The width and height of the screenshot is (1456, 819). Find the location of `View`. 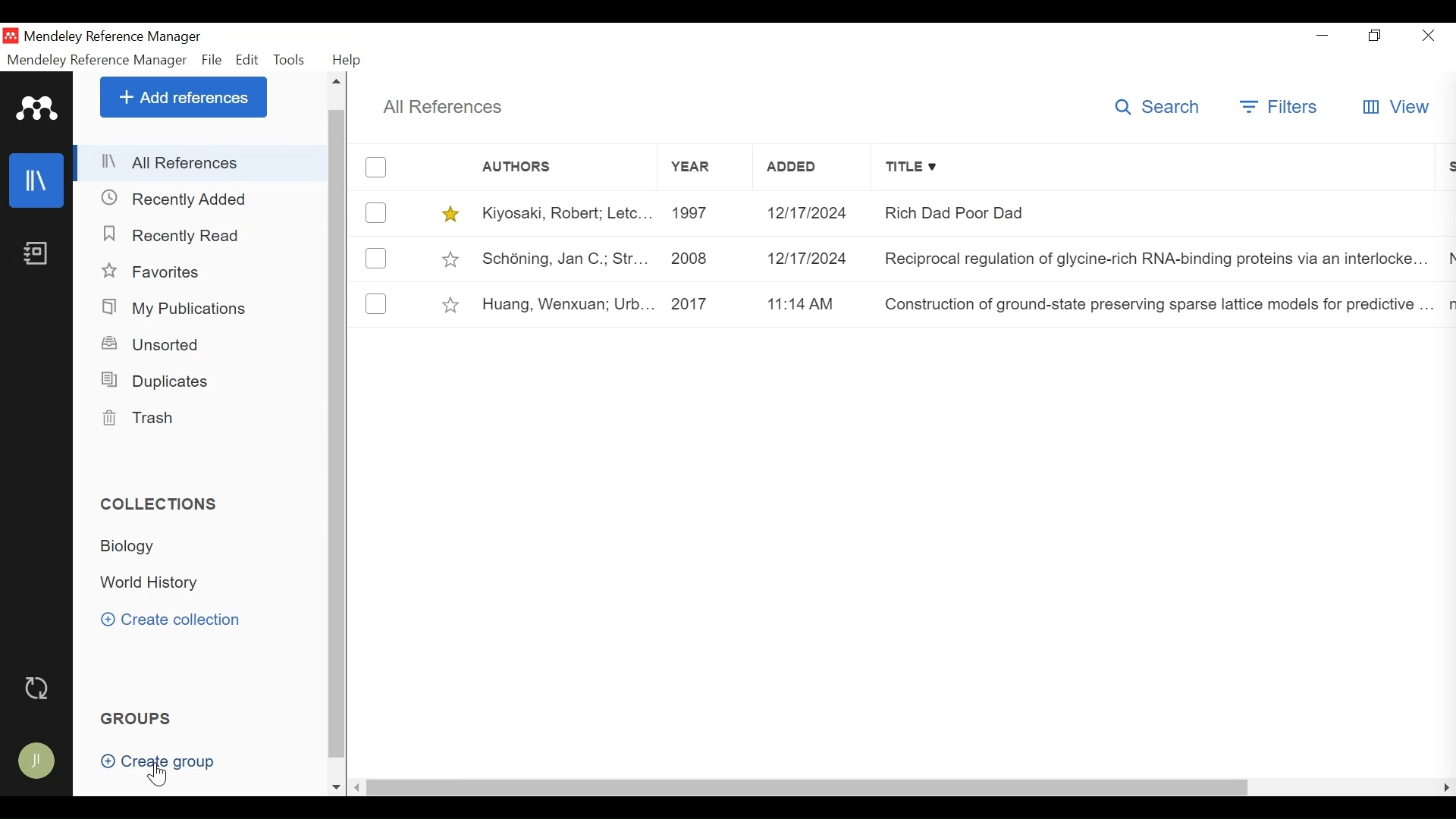

View is located at coordinates (1395, 106).